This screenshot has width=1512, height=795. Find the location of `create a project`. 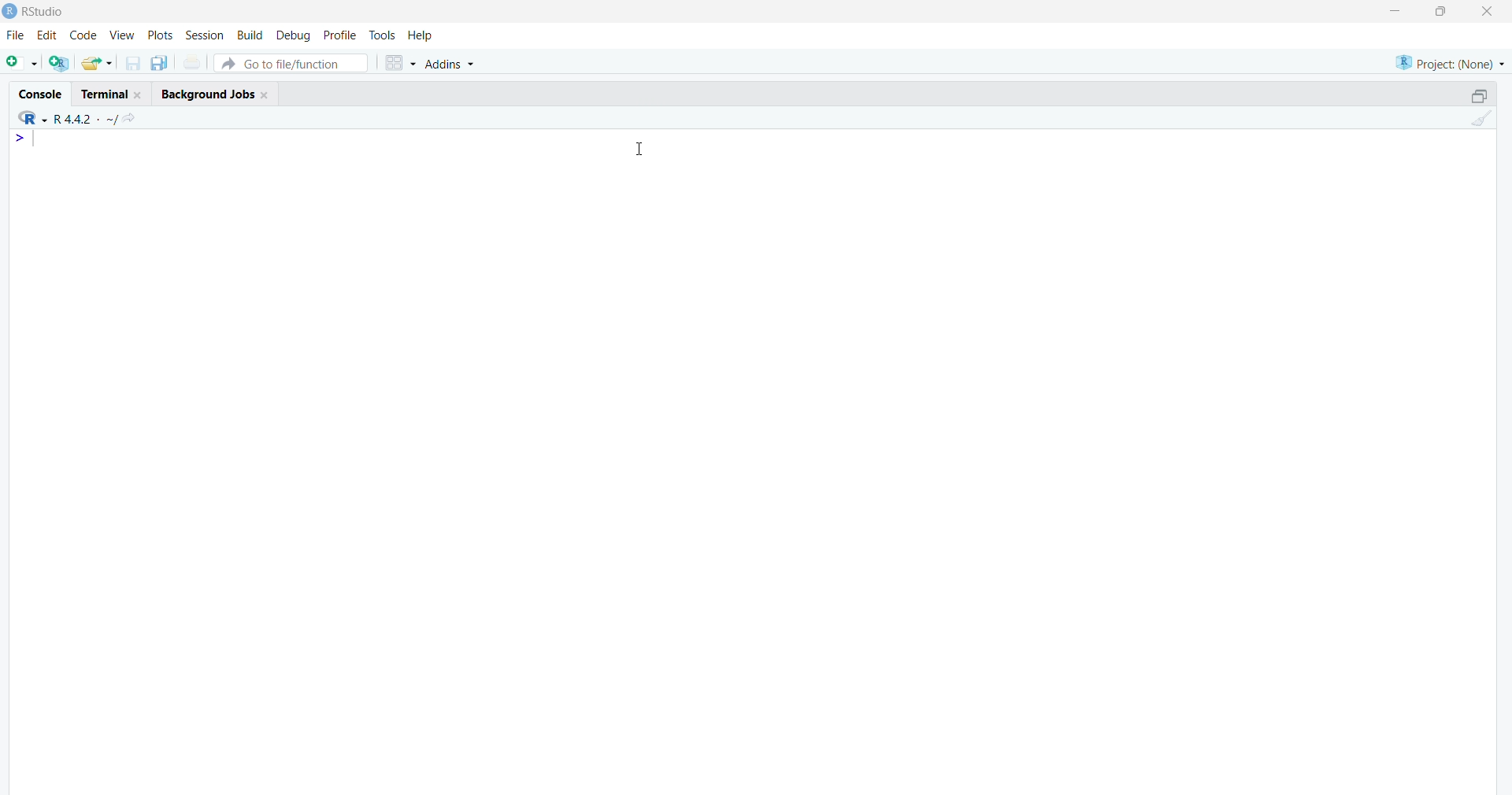

create a project is located at coordinates (58, 62).